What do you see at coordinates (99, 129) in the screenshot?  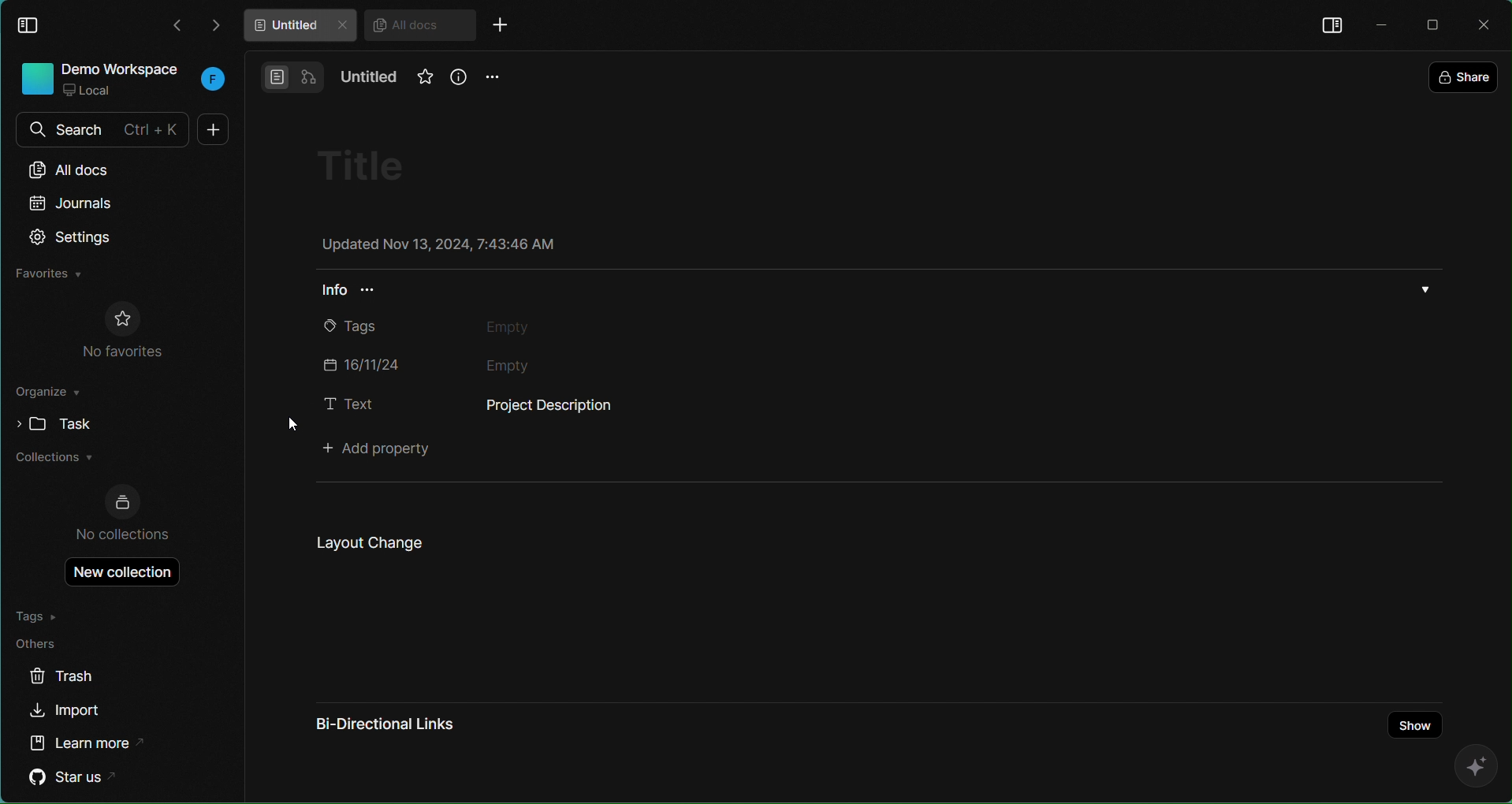 I see `search ` at bounding box center [99, 129].